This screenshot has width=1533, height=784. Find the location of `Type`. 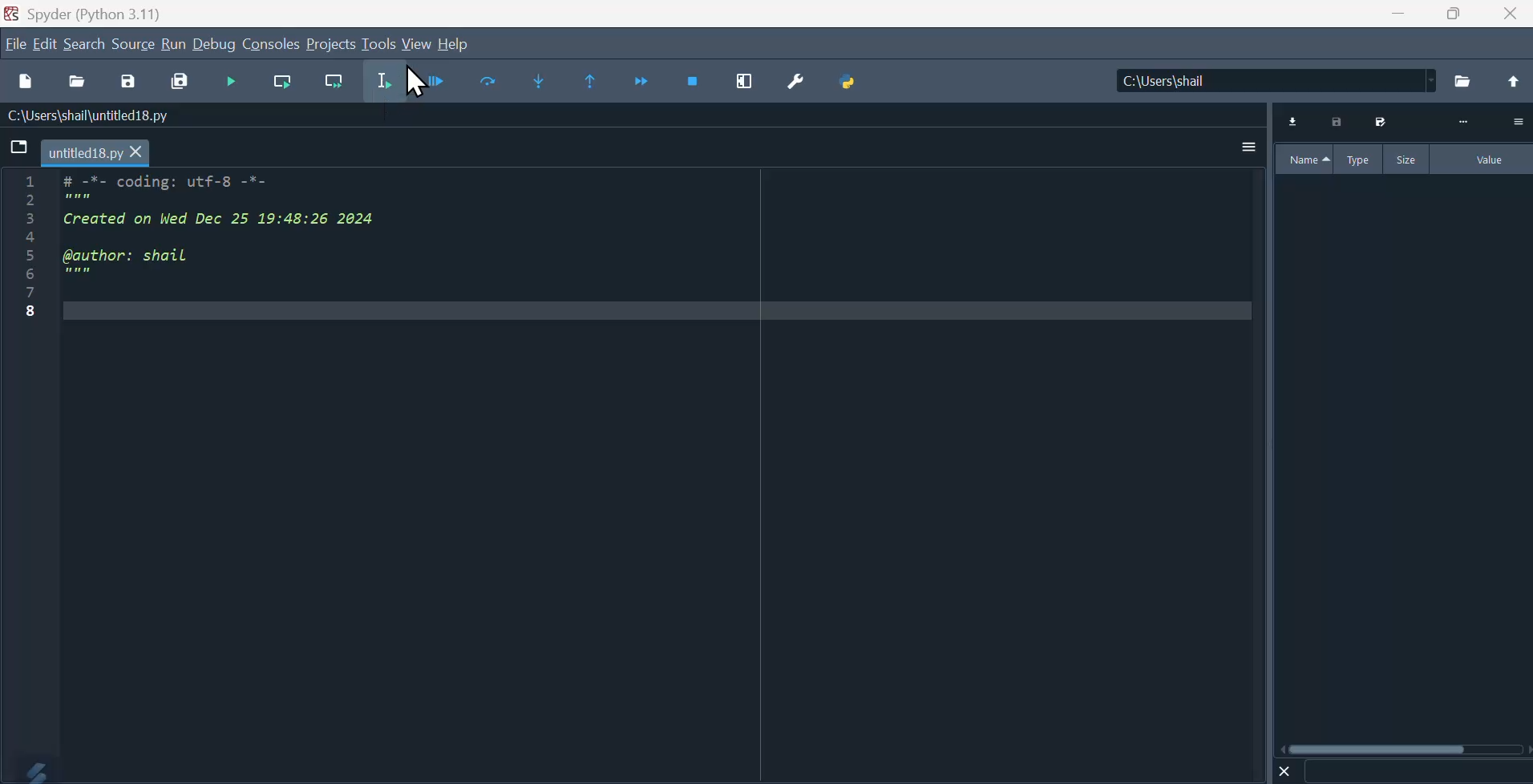

Type is located at coordinates (1361, 159).